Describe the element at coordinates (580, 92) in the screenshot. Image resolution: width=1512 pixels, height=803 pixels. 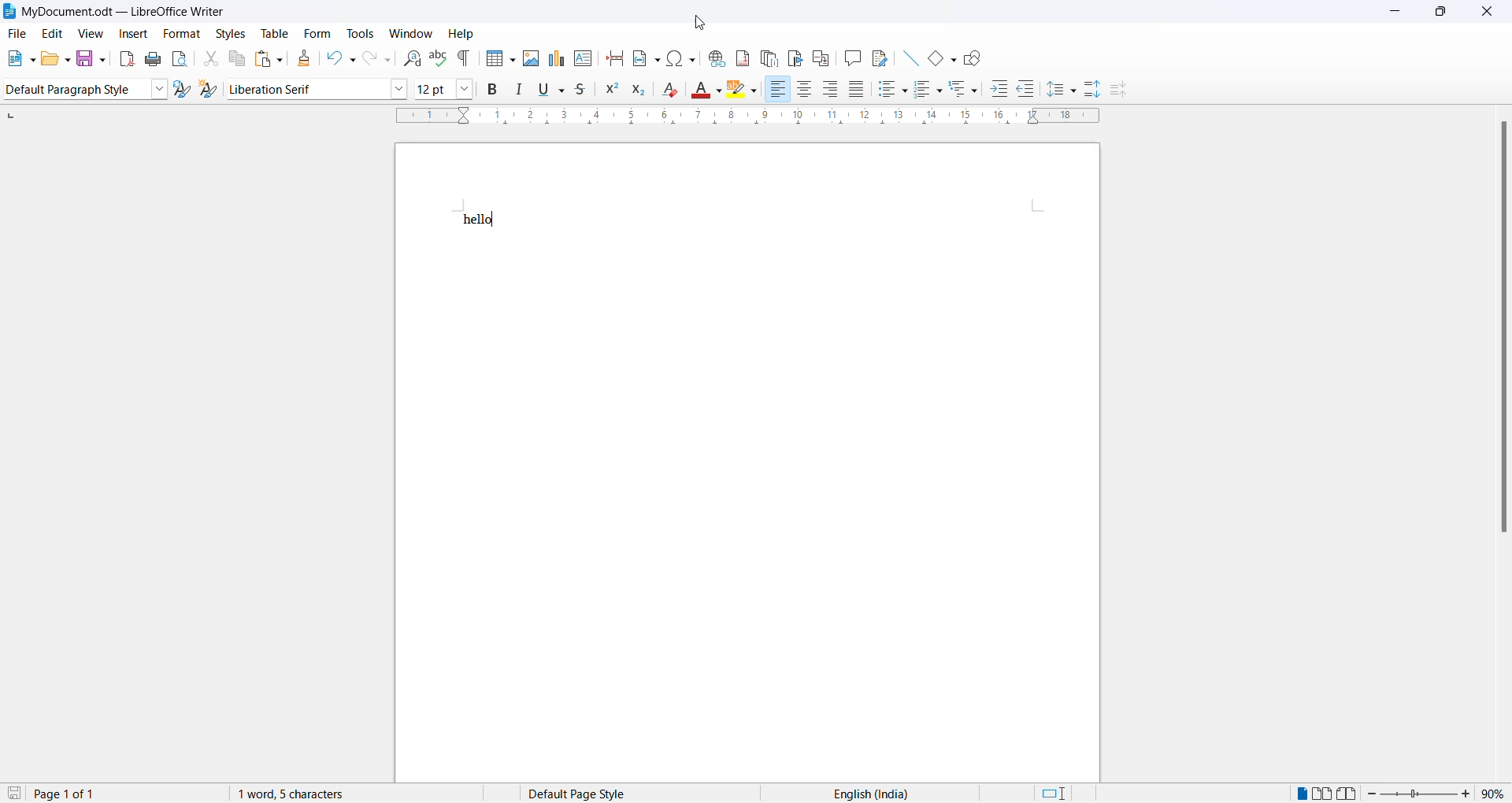
I see `Strike through` at that location.